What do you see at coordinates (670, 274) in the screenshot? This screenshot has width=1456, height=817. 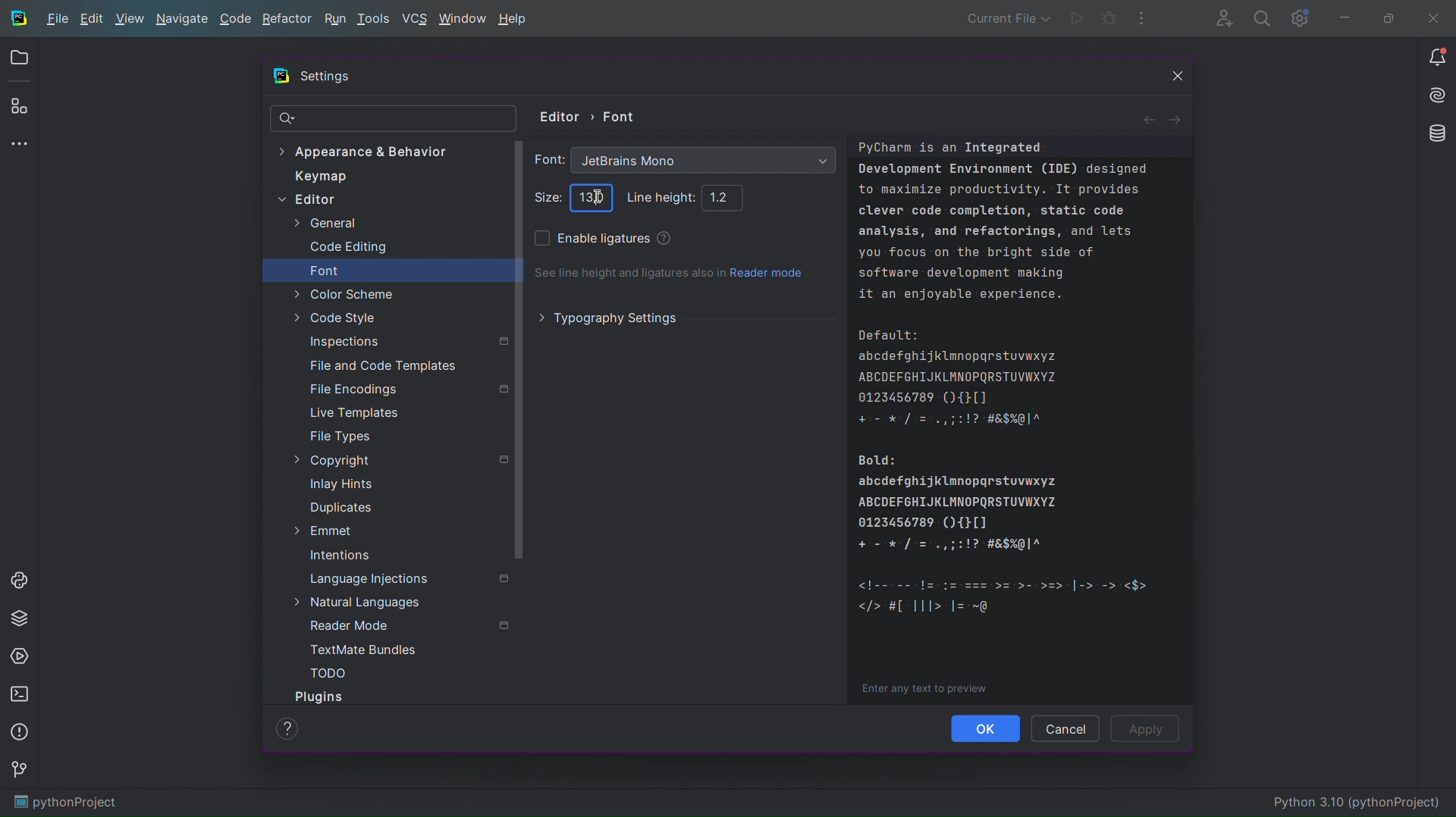 I see `See line height and ligatures also in Reader Mode` at bounding box center [670, 274].